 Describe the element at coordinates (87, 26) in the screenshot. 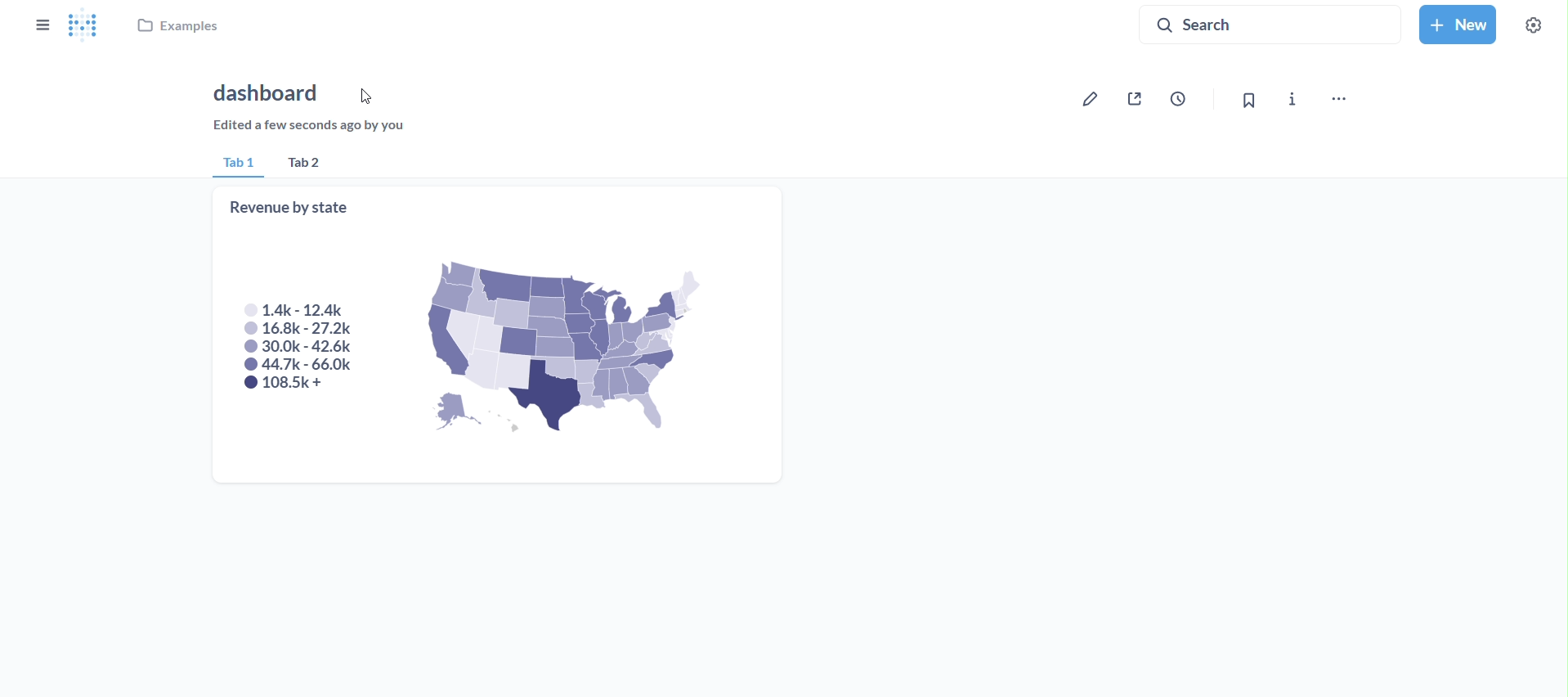

I see `logo` at that location.